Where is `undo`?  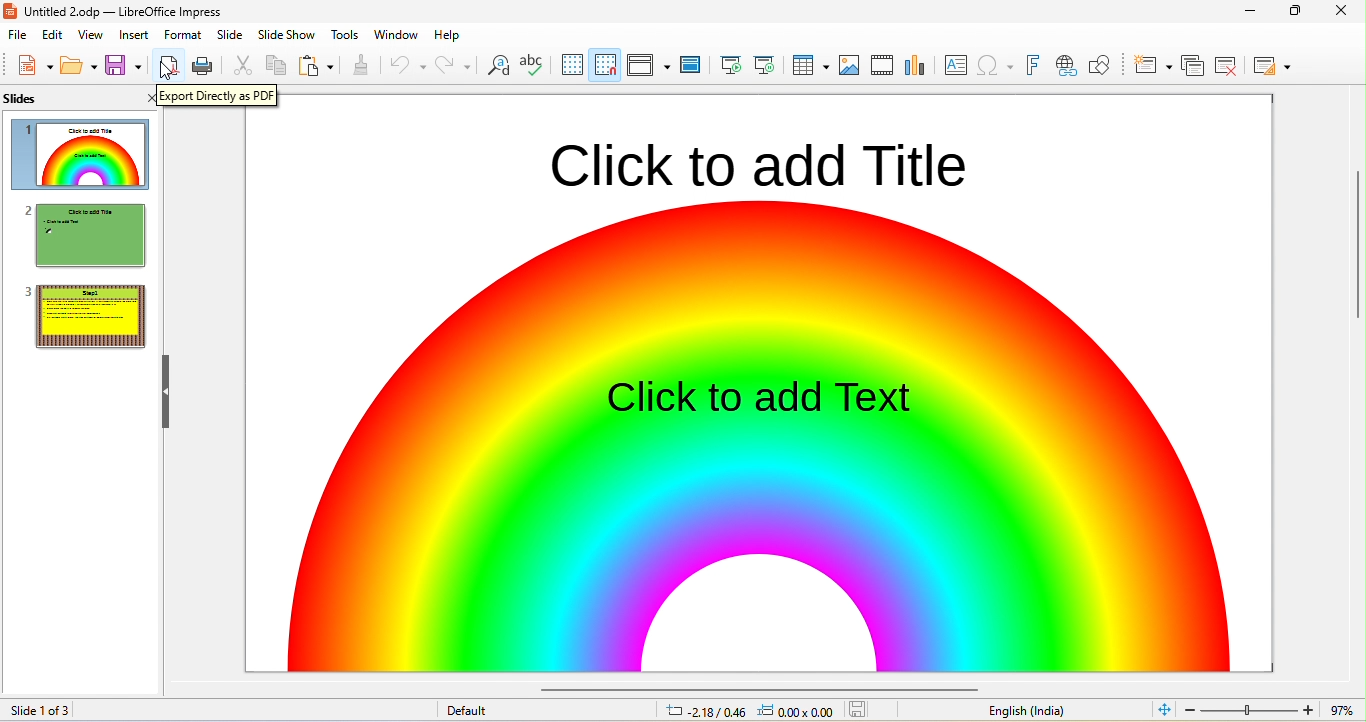 undo is located at coordinates (406, 64).